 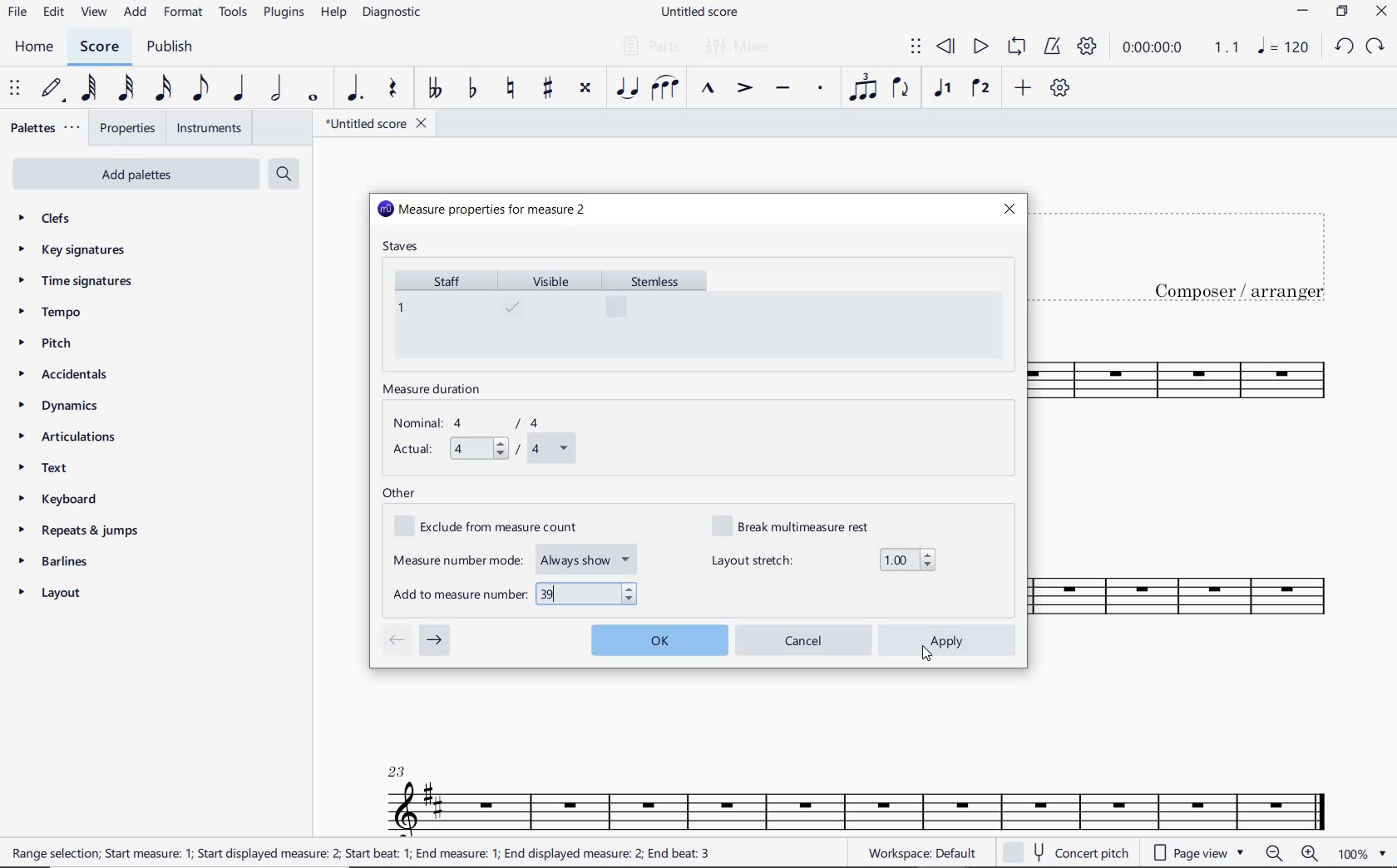 I want to click on measure duration, so click(x=437, y=391).